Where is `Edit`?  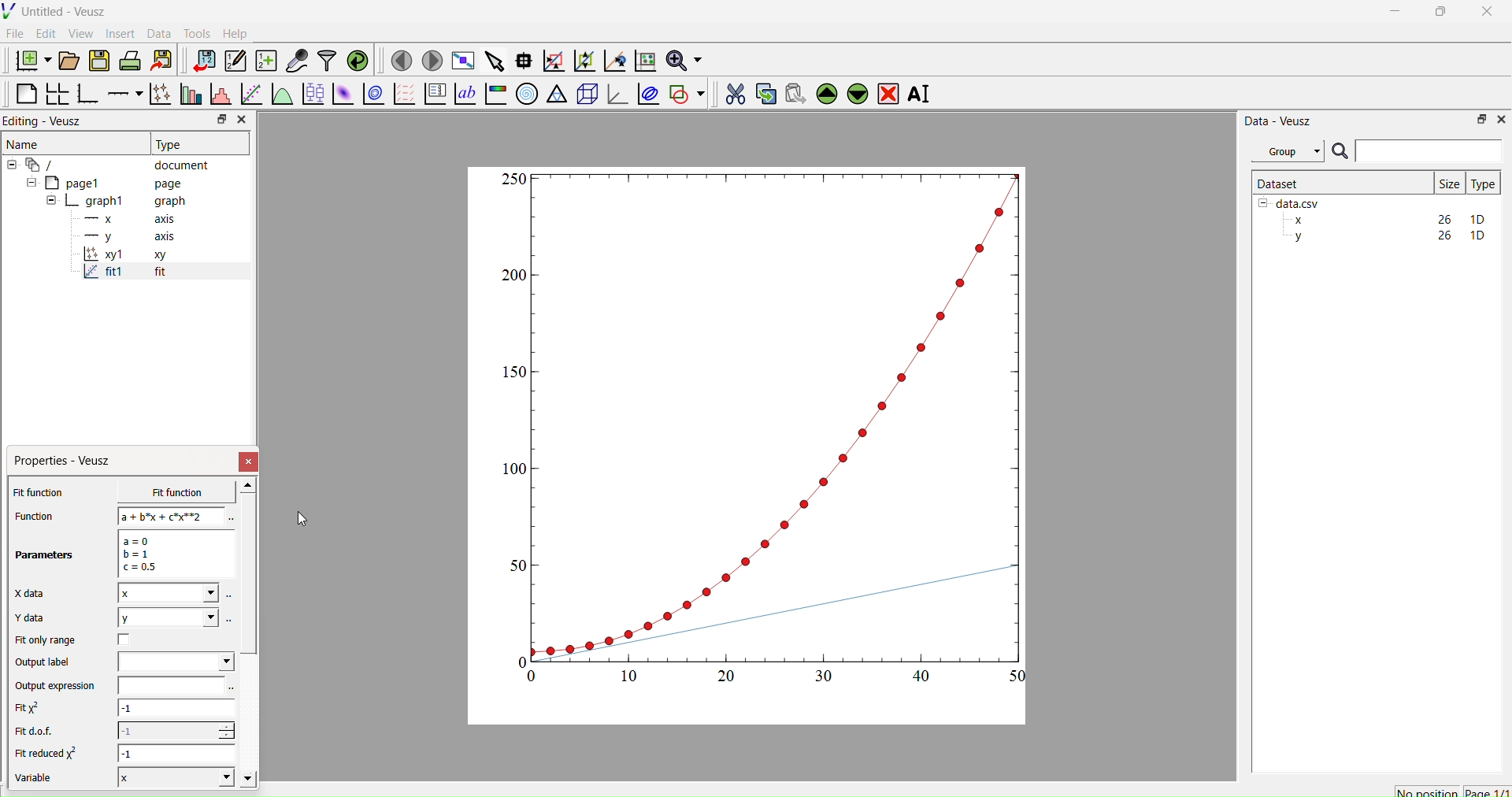 Edit is located at coordinates (44, 33).